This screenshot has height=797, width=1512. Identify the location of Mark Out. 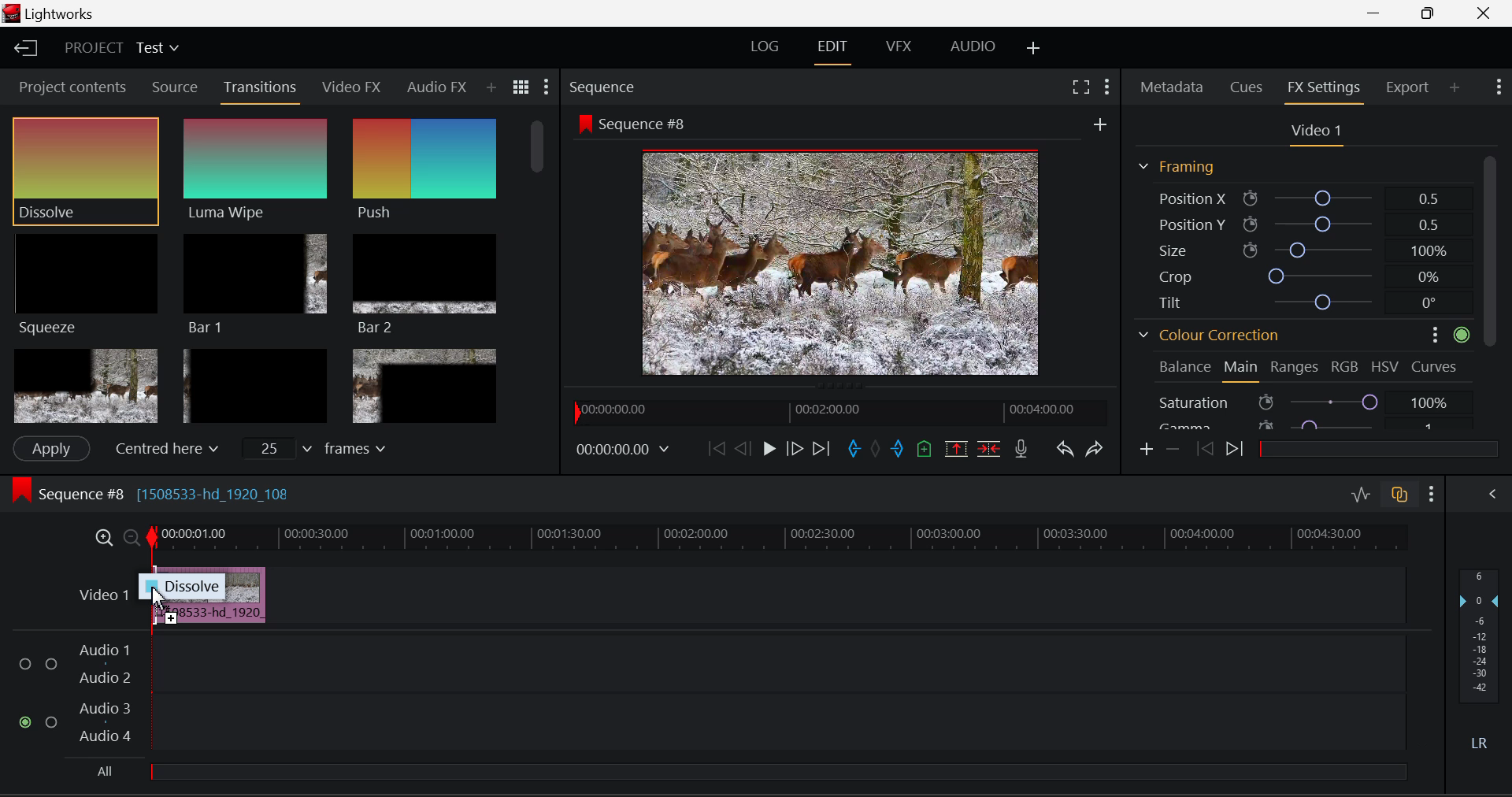
(898, 449).